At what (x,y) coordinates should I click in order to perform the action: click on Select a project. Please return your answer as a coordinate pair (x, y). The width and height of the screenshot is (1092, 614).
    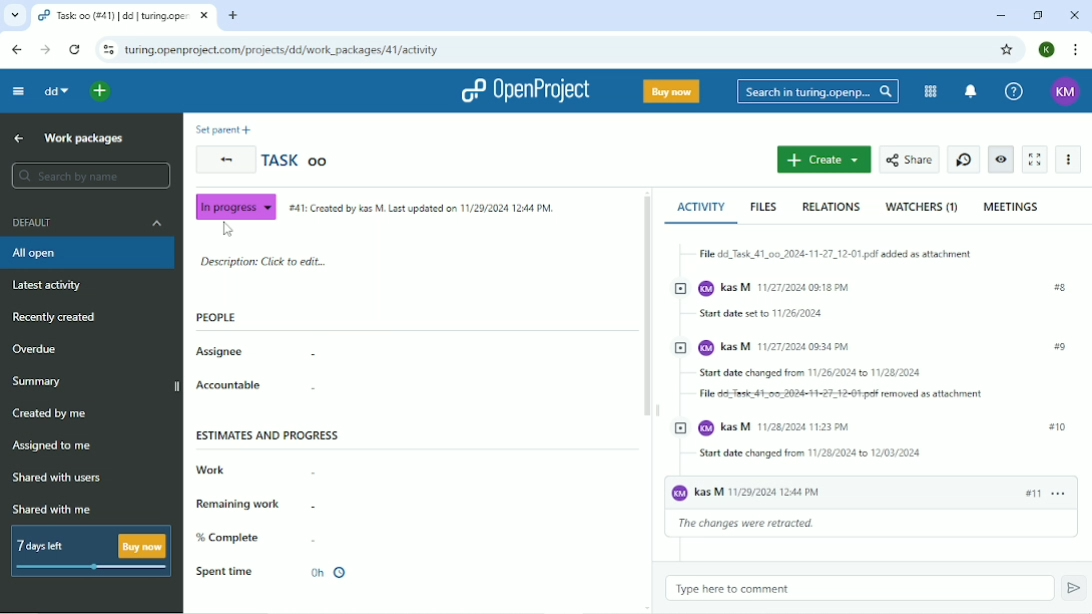
    Looking at the image, I should click on (86, 93).